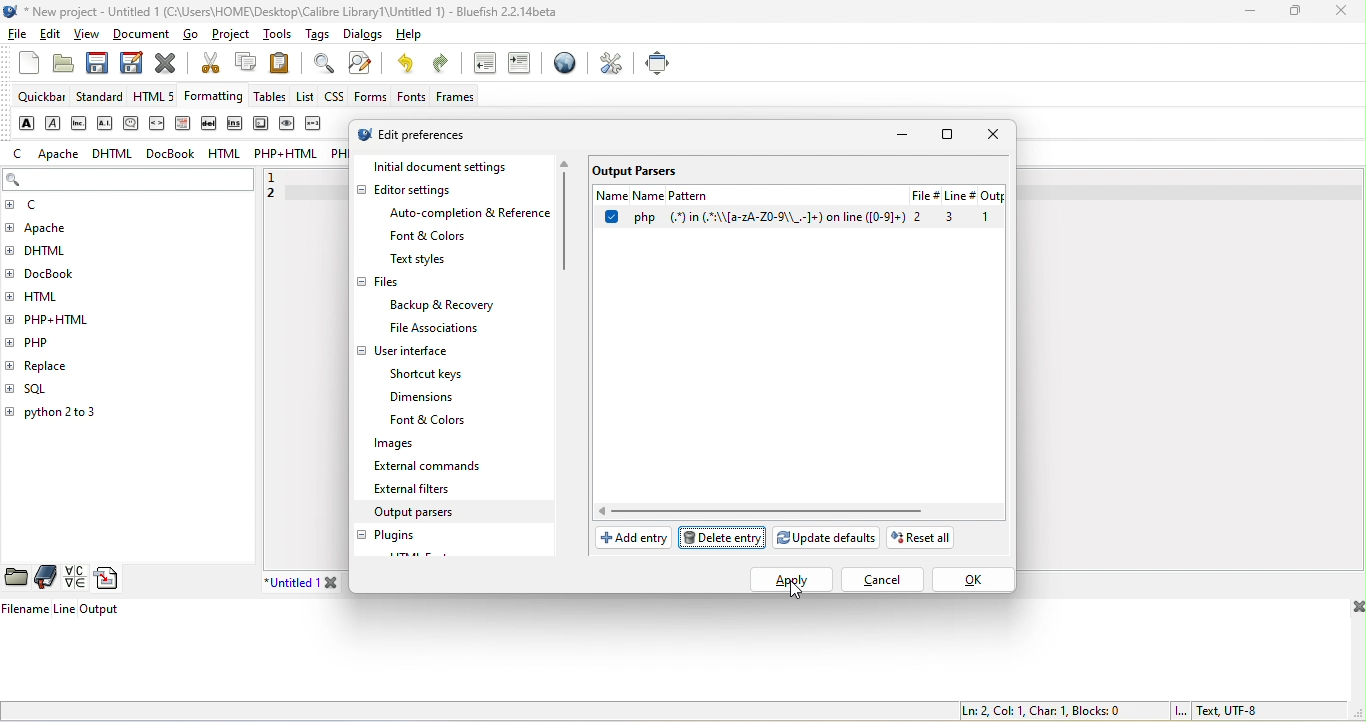 The image size is (1366, 722). Describe the element at coordinates (562, 67) in the screenshot. I see `browser` at that location.